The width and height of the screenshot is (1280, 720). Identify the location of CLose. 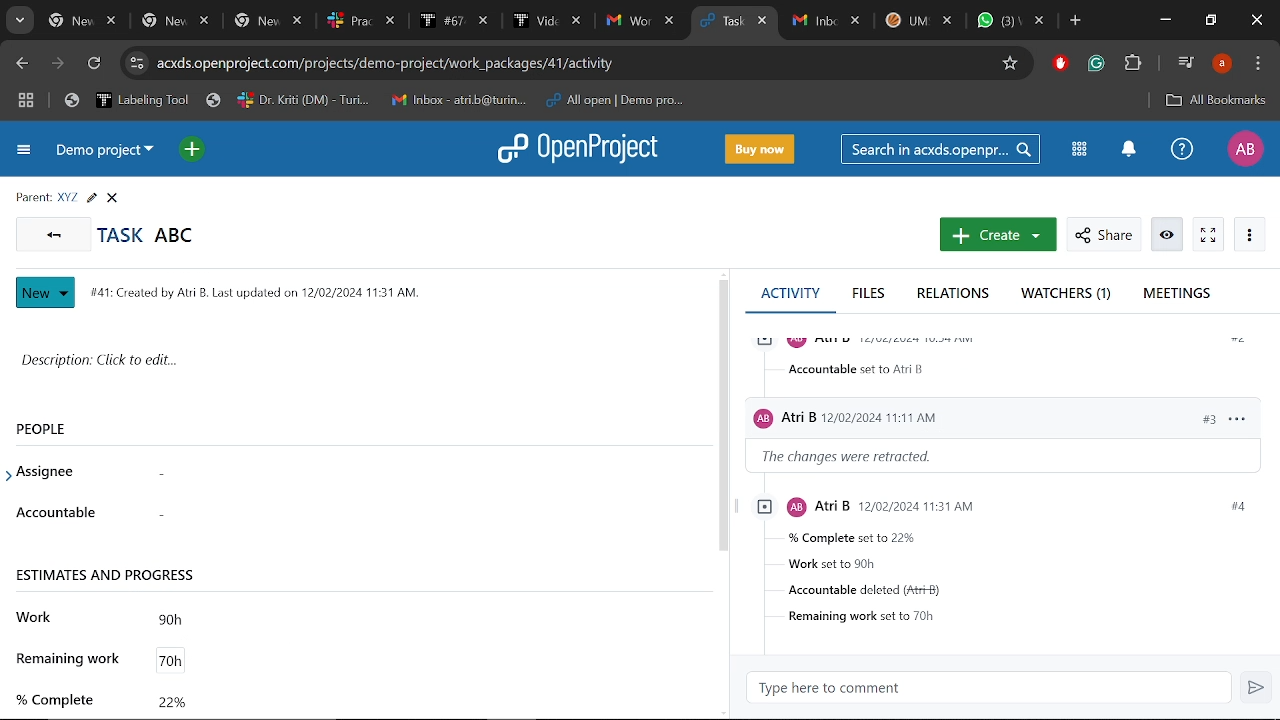
(115, 198).